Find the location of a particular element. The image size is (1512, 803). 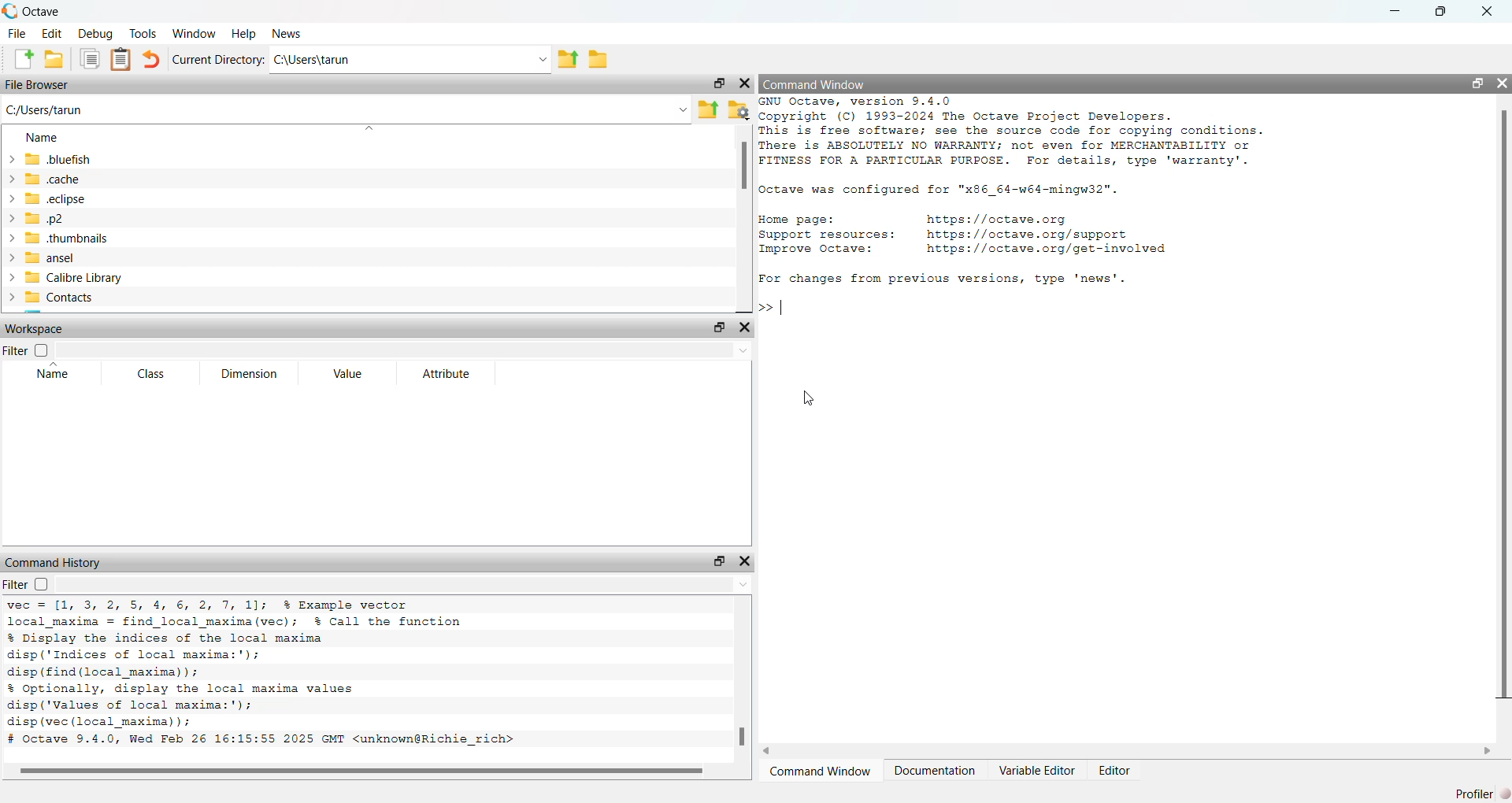

Calibre Library is located at coordinates (74, 277).